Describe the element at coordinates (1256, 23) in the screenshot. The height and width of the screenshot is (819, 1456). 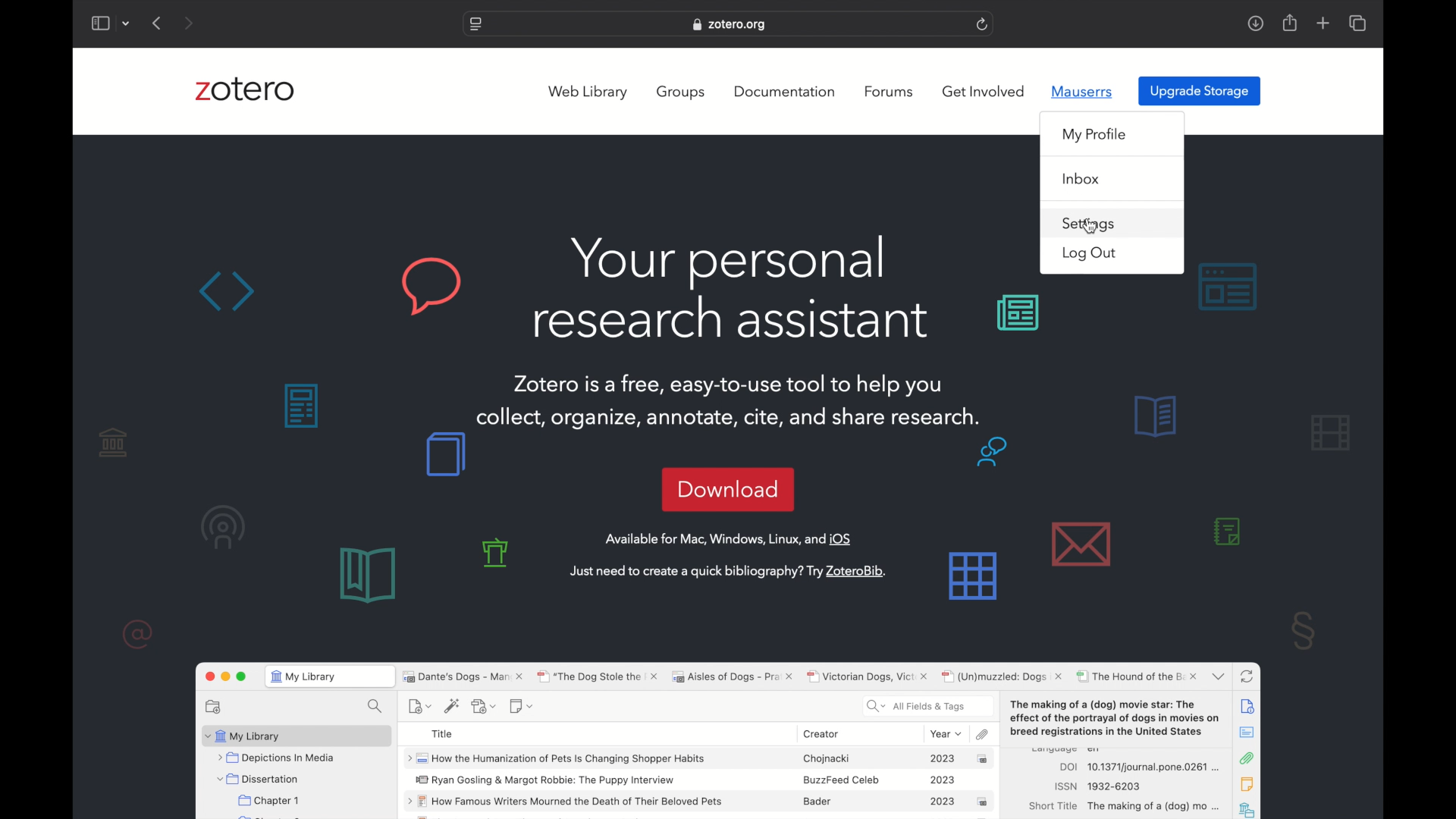
I see `downloads` at that location.